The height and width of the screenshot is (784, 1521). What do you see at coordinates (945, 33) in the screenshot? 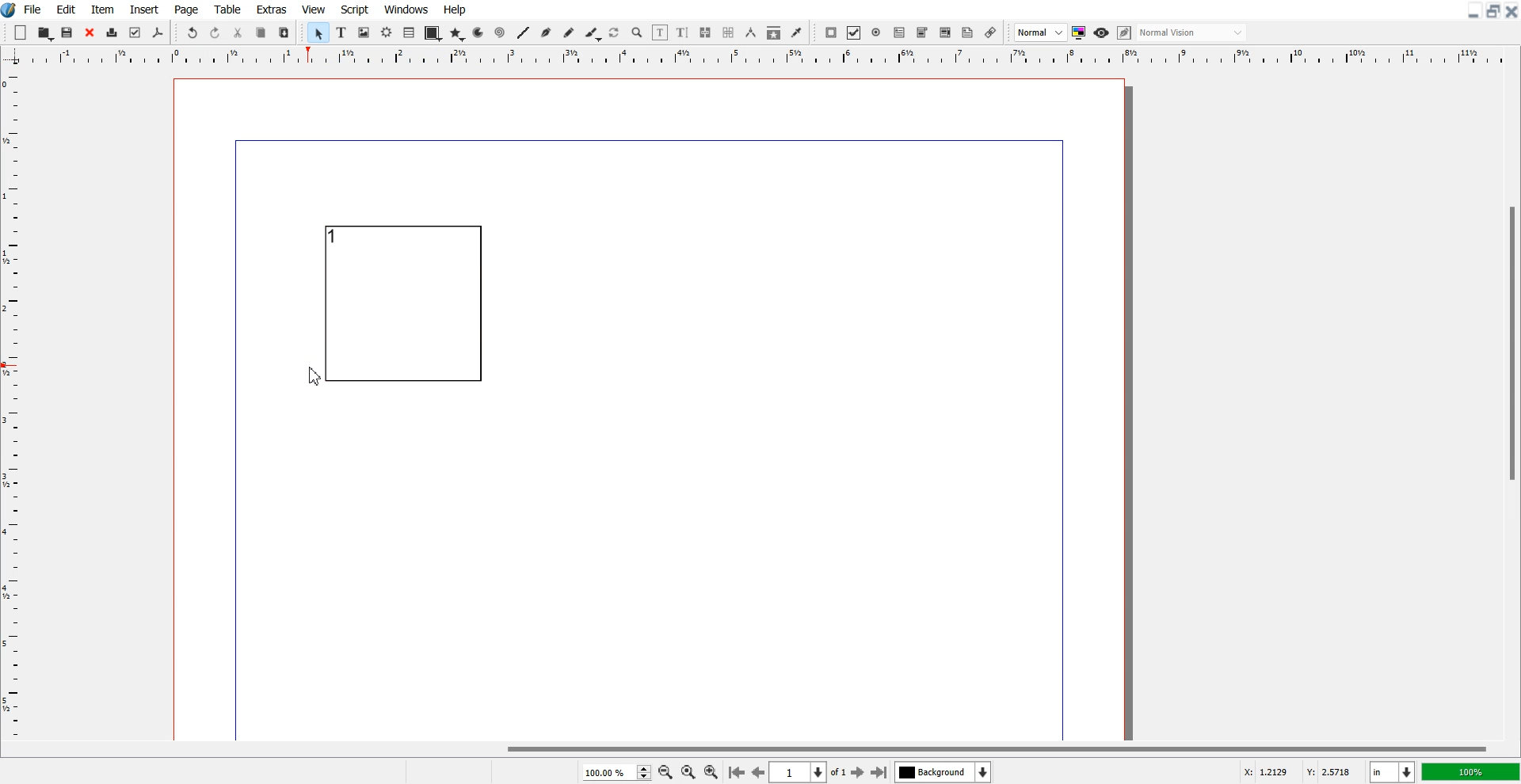
I see `PDF List Box` at bounding box center [945, 33].